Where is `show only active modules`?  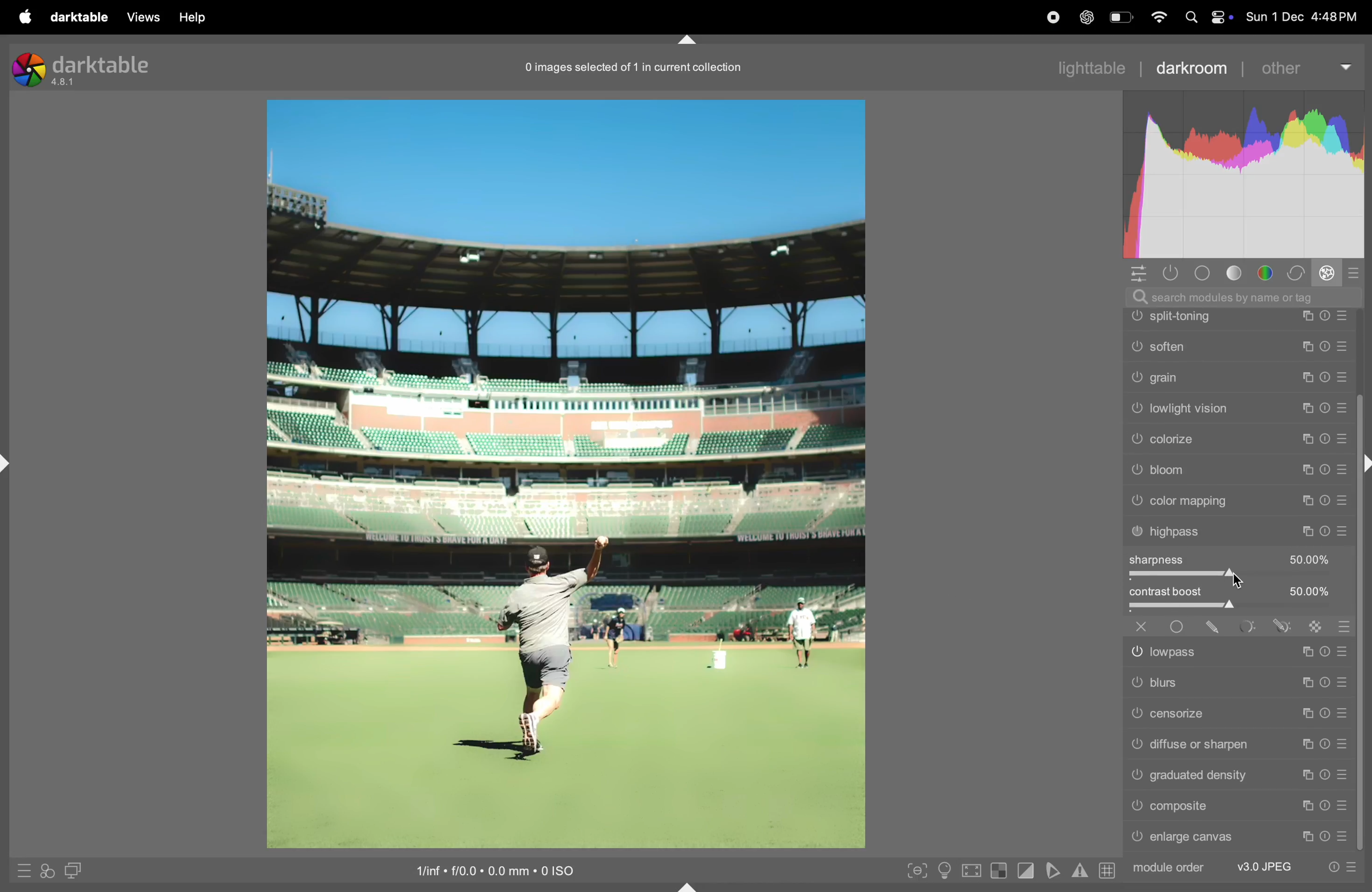 show only active modules is located at coordinates (1171, 273).